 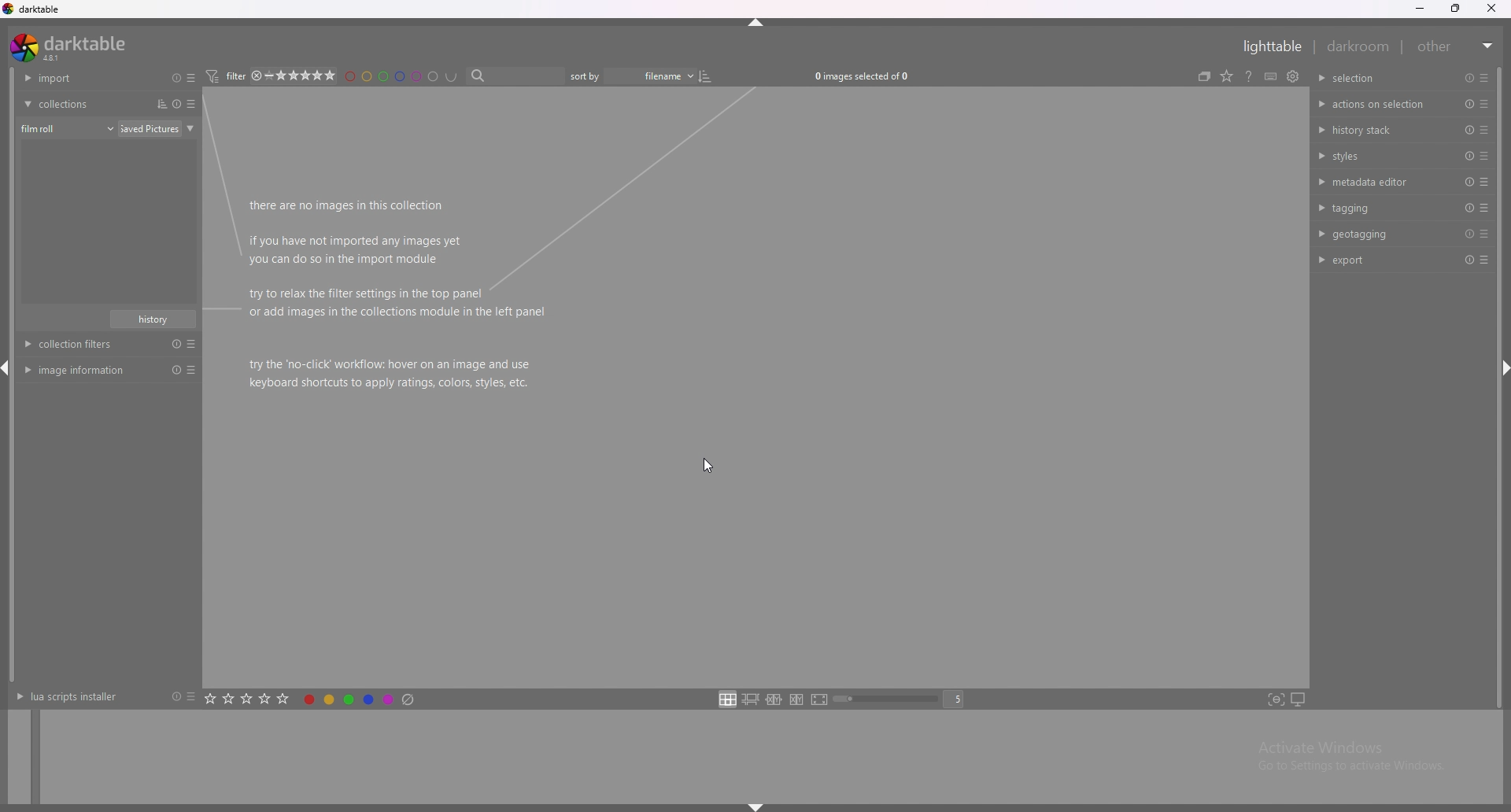 I want to click on rate, so click(x=248, y=697).